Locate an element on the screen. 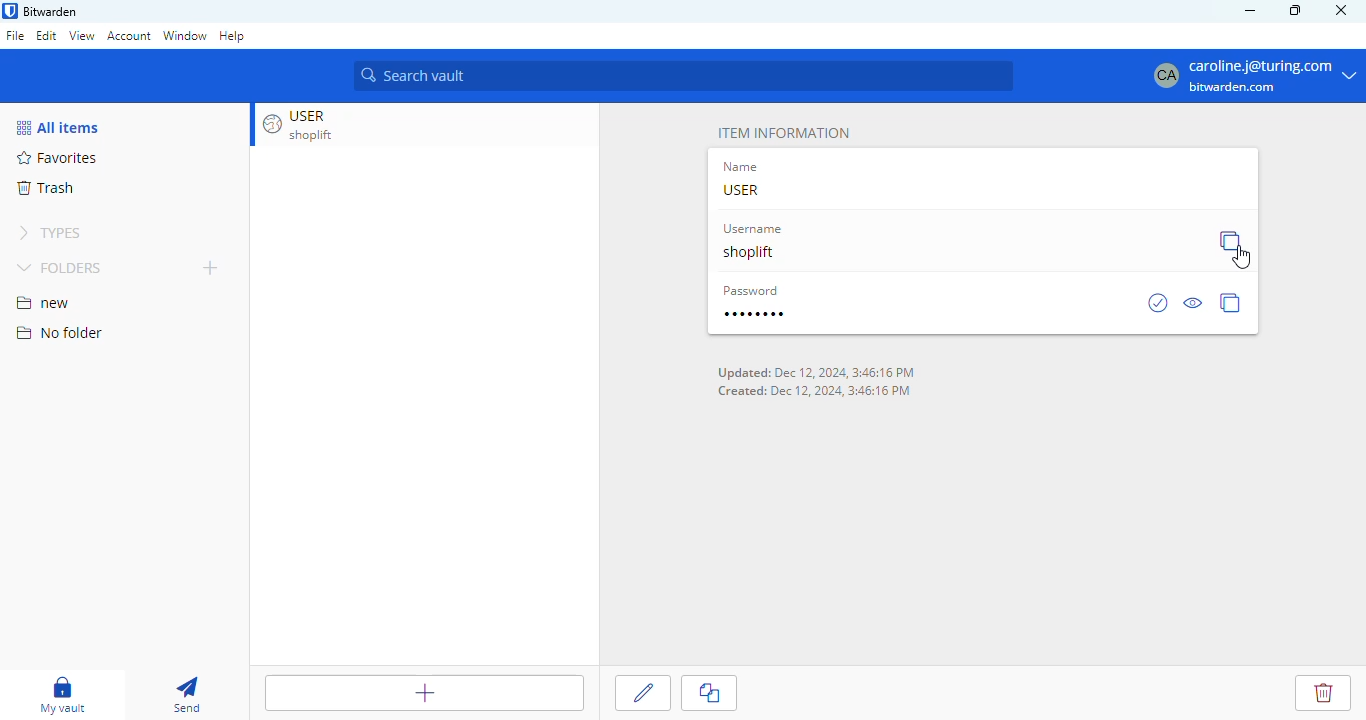  cursor is located at coordinates (1242, 257).